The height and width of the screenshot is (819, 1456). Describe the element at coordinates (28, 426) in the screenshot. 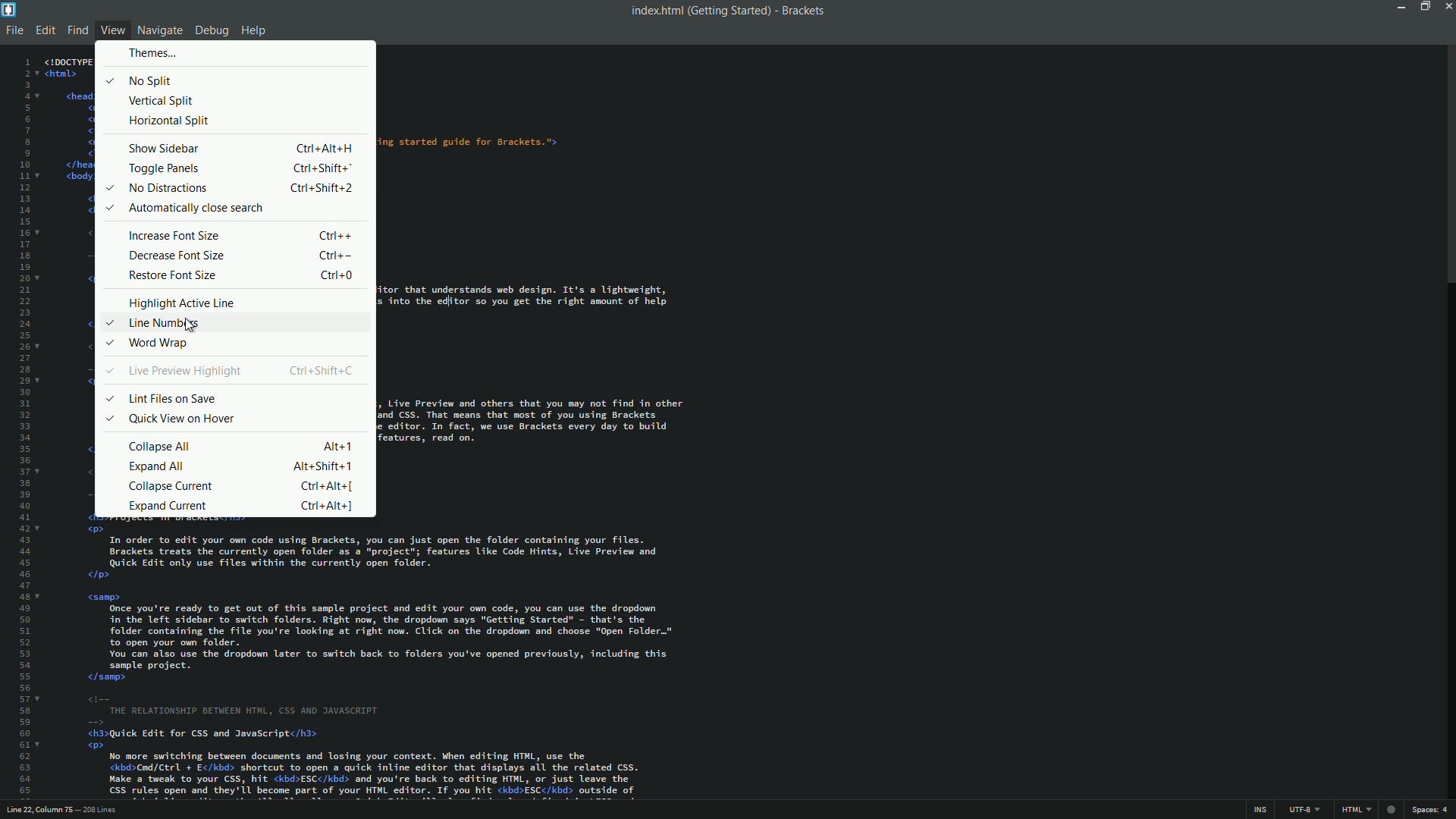

I see `Numbering line` at that location.